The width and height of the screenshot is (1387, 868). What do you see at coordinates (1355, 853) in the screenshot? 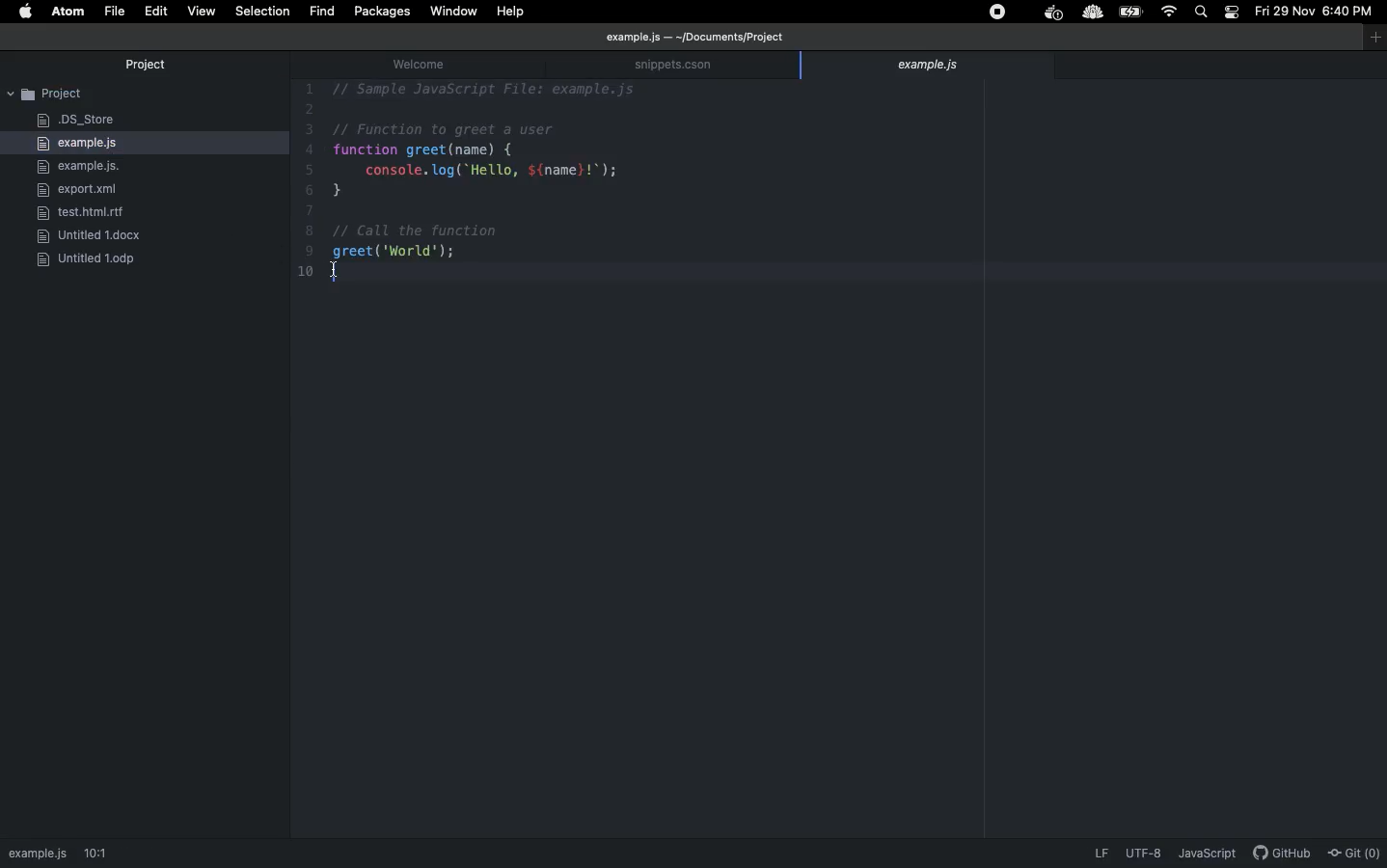
I see `Git` at bounding box center [1355, 853].